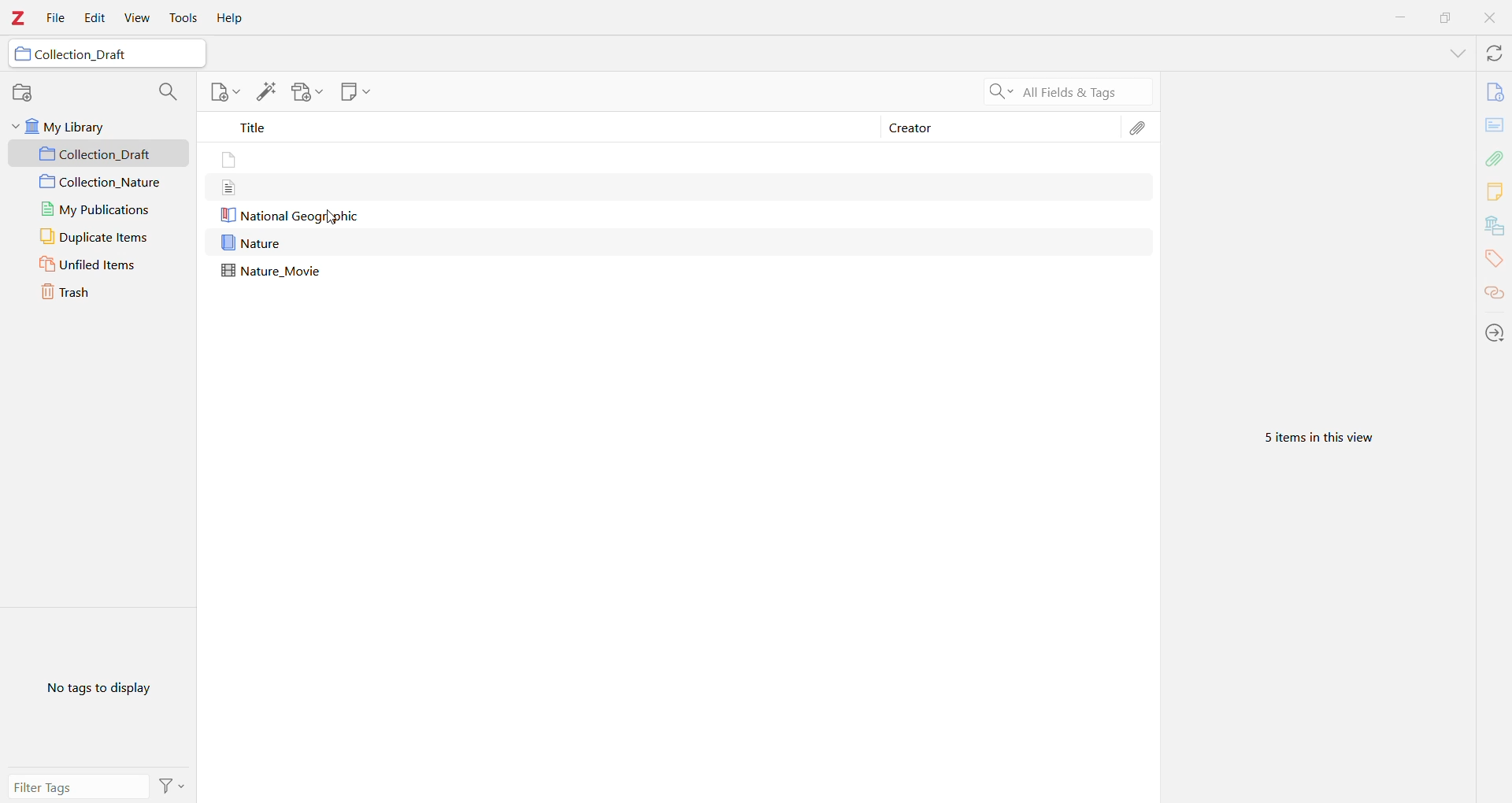 This screenshot has width=1512, height=803. Describe the element at coordinates (97, 687) in the screenshot. I see `No tags to display` at that location.